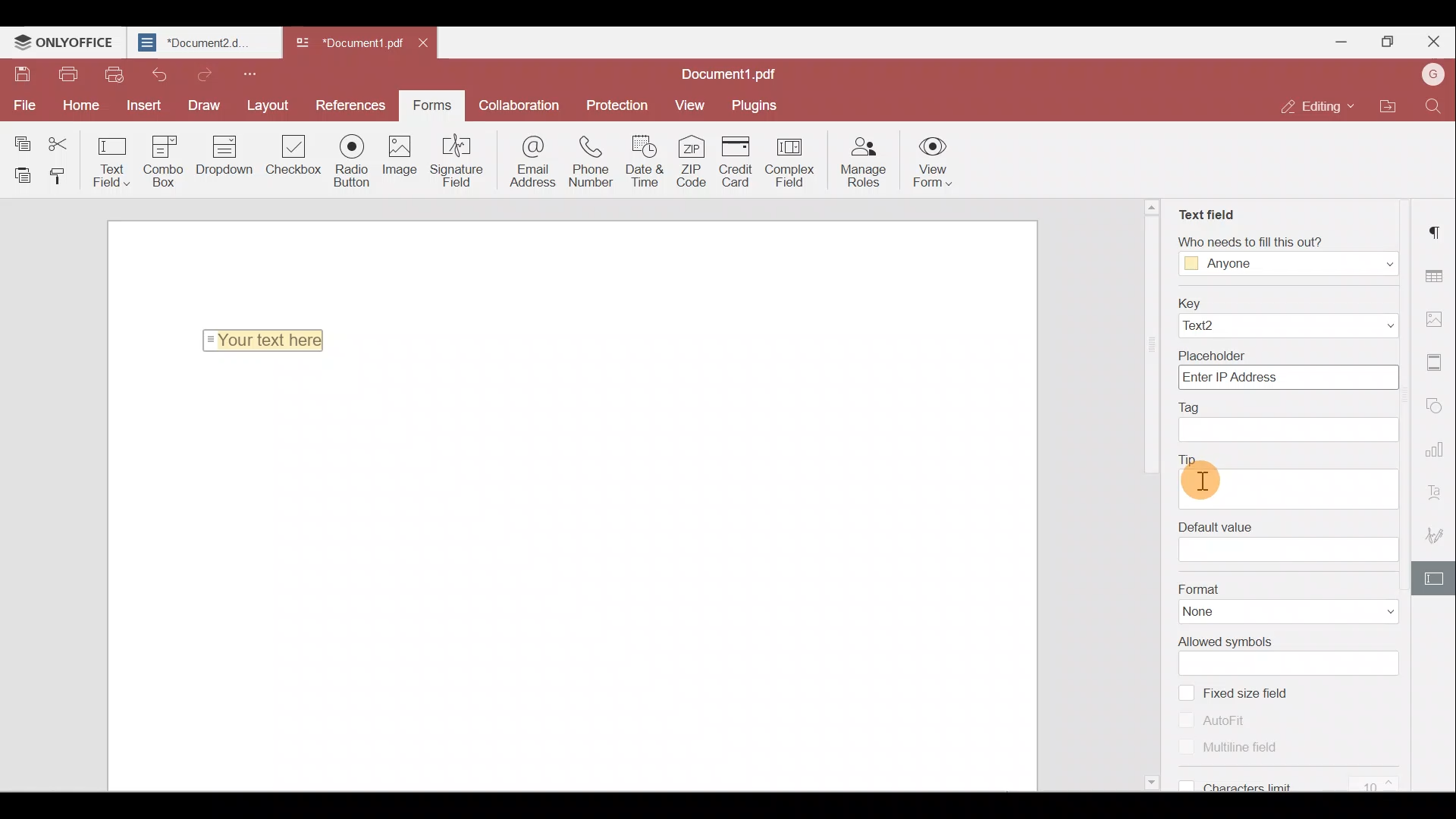  I want to click on Date & time, so click(643, 165).